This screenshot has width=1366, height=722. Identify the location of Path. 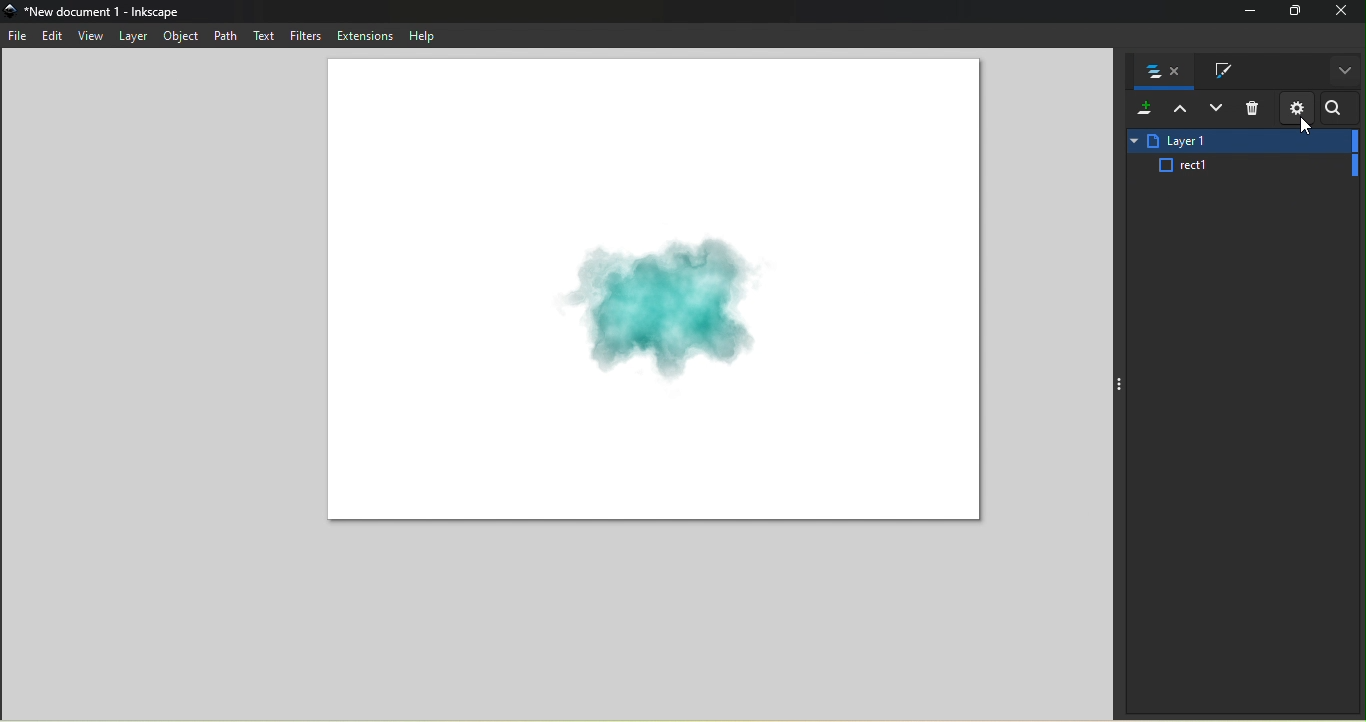
(222, 34).